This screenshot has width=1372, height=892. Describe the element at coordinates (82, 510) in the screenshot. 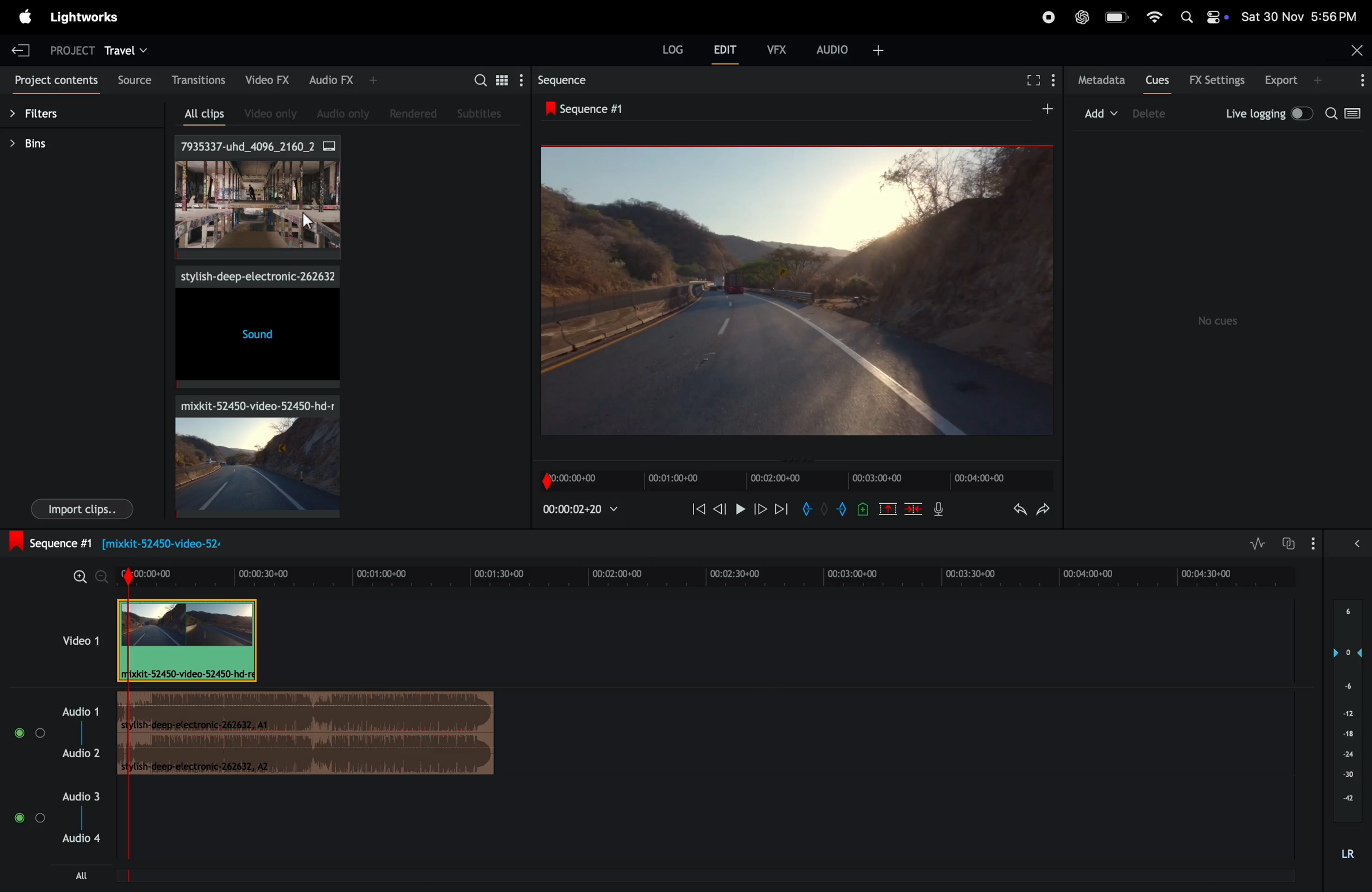

I see `import clips` at that location.